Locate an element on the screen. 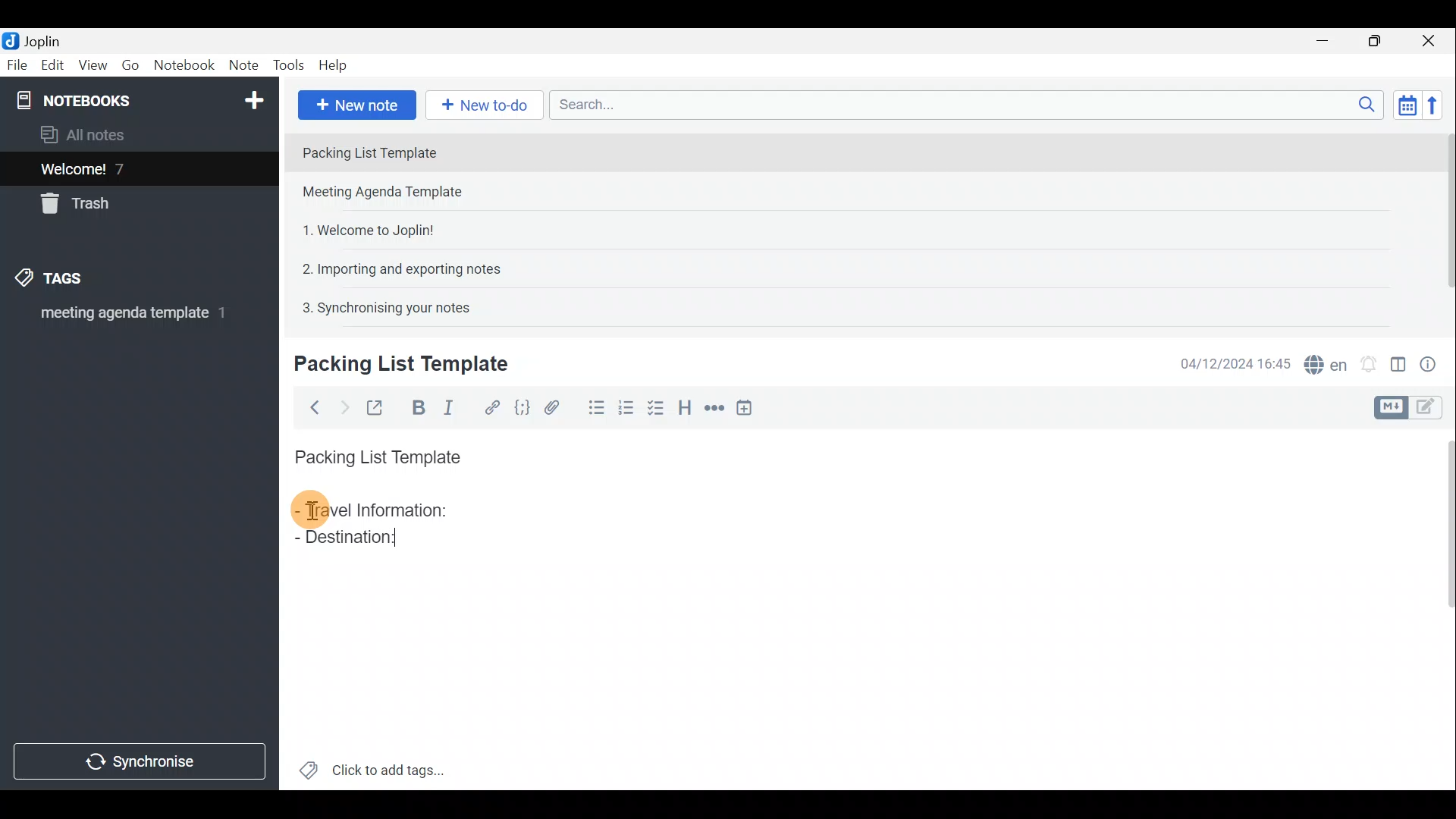  Note 1 is located at coordinates (424, 151).